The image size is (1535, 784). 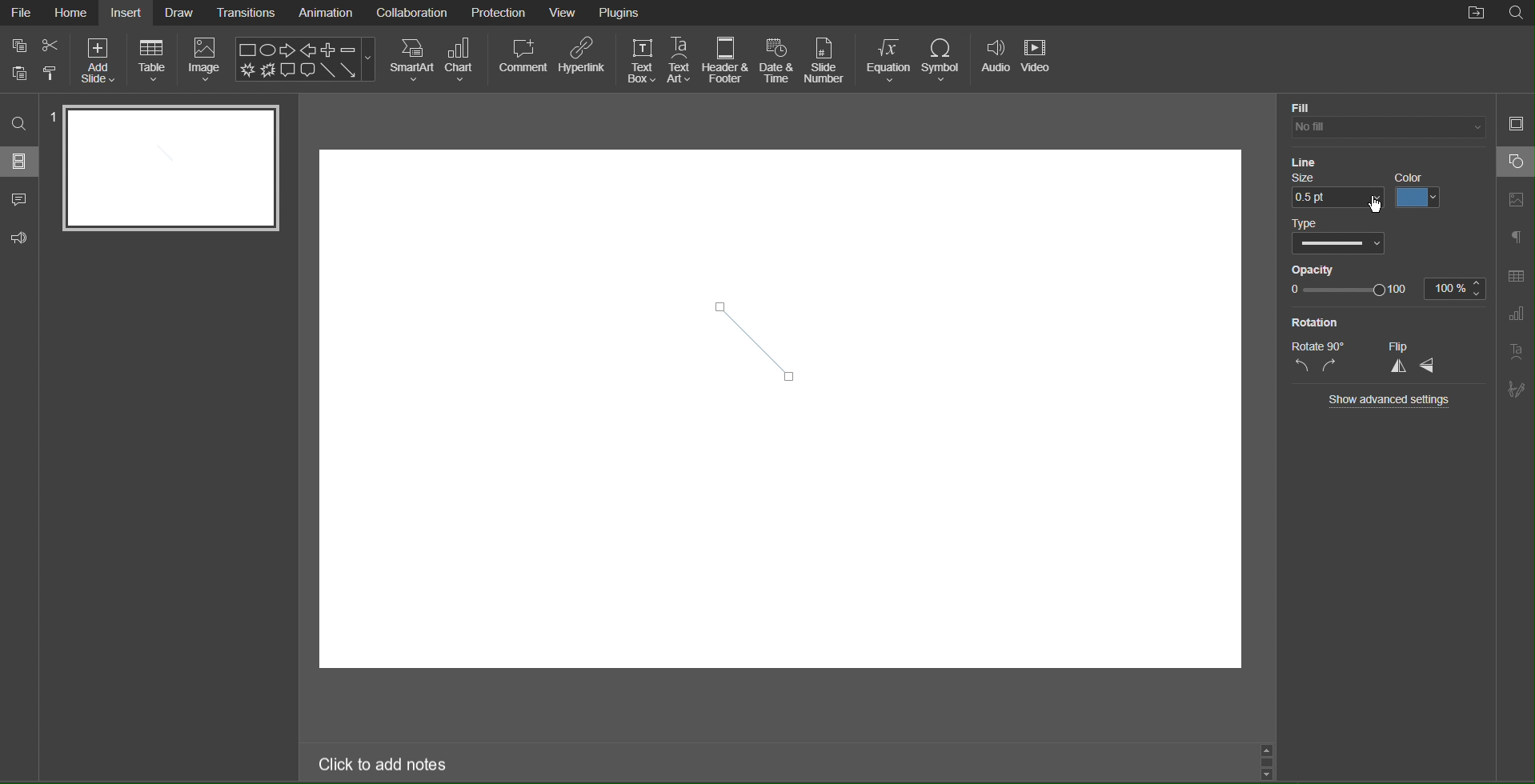 What do you see at coordinates (889, 59) in the screenshot?
I see `Equation` at bounding box center [889, 59].